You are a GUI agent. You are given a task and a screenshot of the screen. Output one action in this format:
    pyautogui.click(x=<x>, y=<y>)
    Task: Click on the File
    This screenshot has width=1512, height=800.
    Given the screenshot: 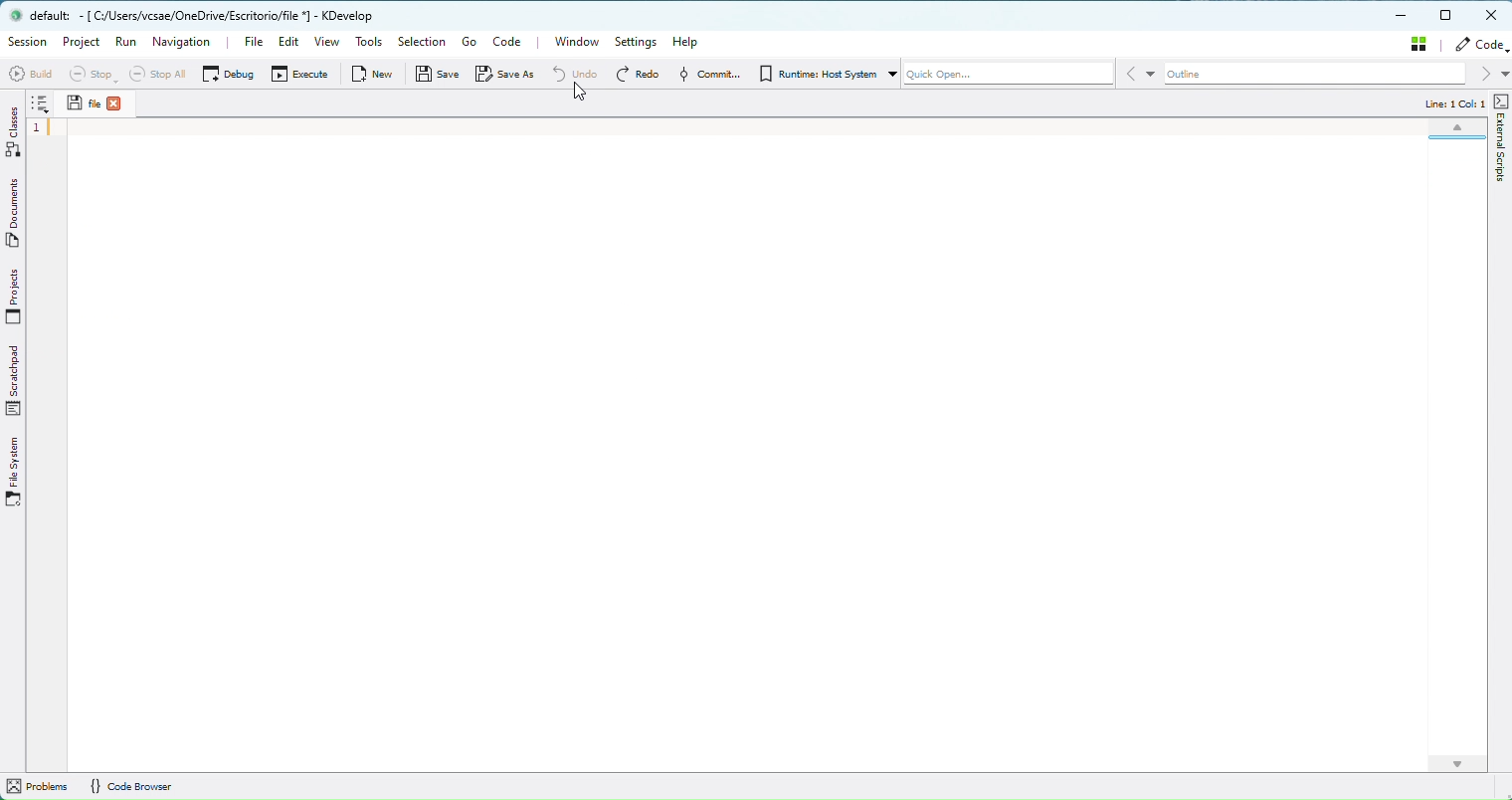 What is the action you would take?
    pyautogui.click(x=94, y=104)
    